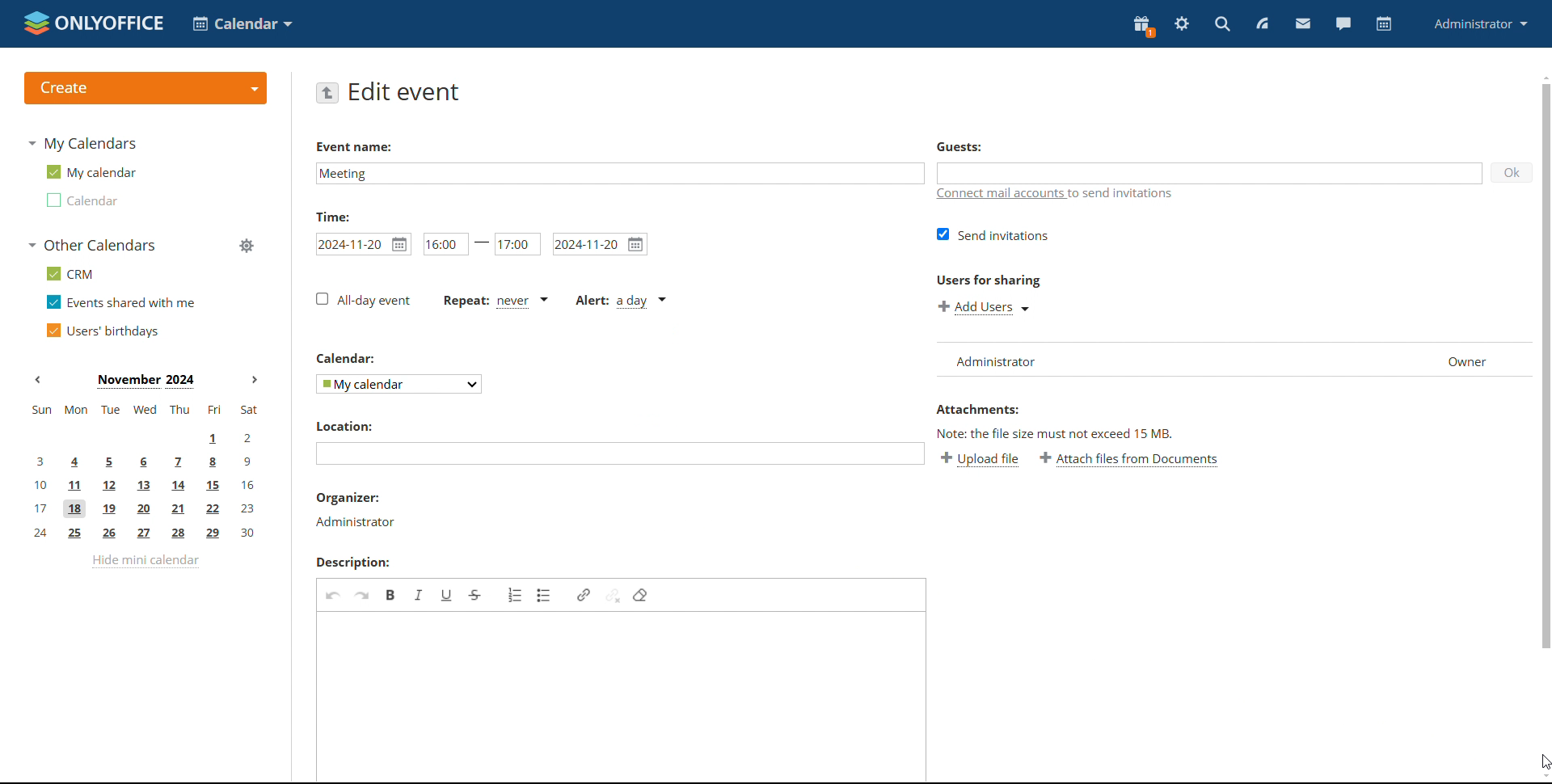 Image resolution: width=1552 pixels, height=784 pixels. Describe the element at coordinates (1183, 23) in the screenshot. I see `settings` at that location.